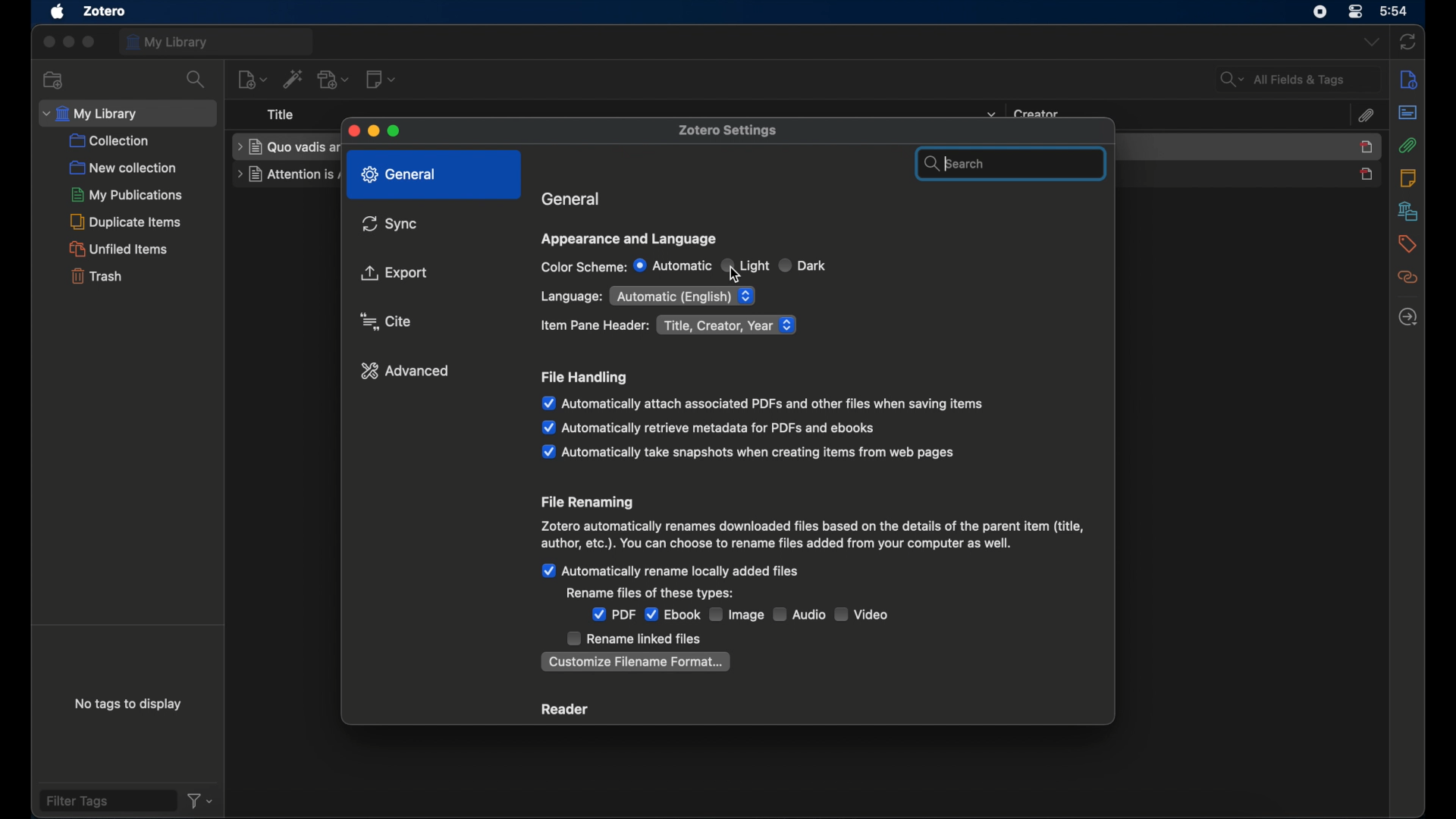  What do you see at coordinates (387, 322) in the screenshot?
I see `cursor` at bounding box center [387, 322].